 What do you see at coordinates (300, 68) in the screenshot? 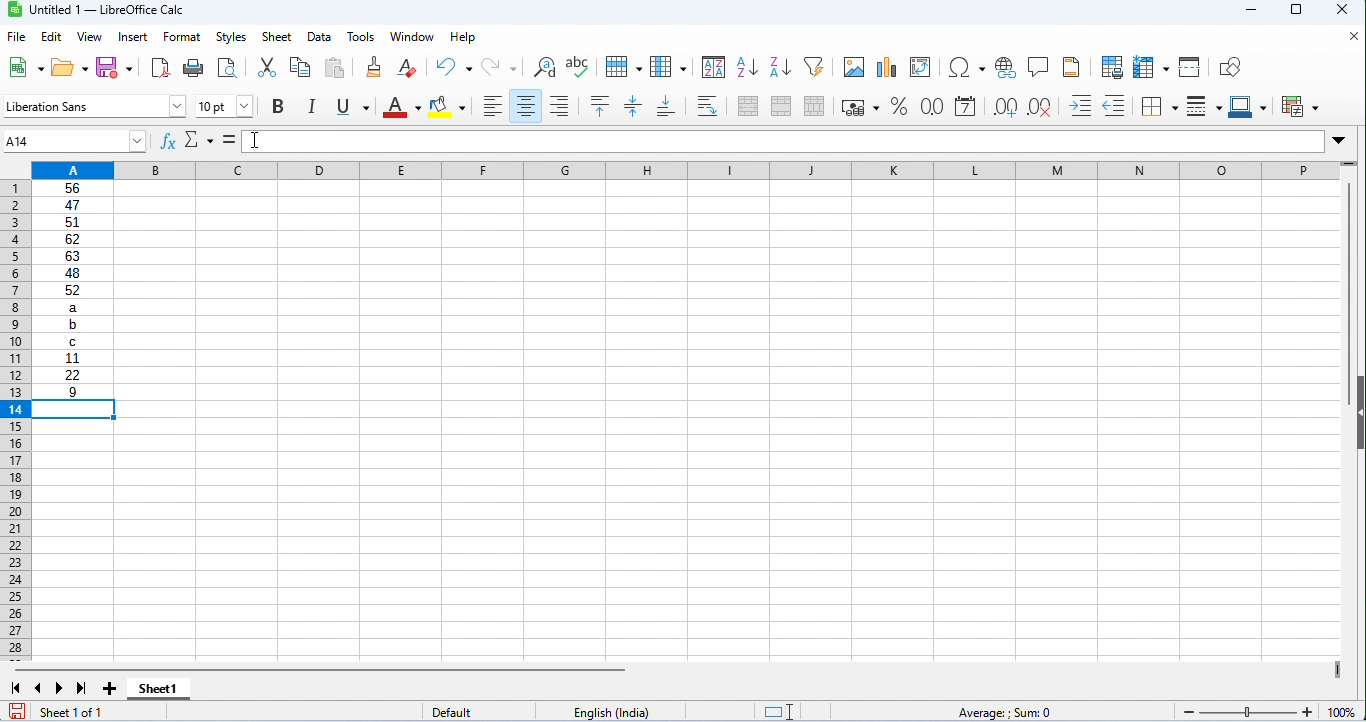
I see `copy` at bounding box center [300, 68].